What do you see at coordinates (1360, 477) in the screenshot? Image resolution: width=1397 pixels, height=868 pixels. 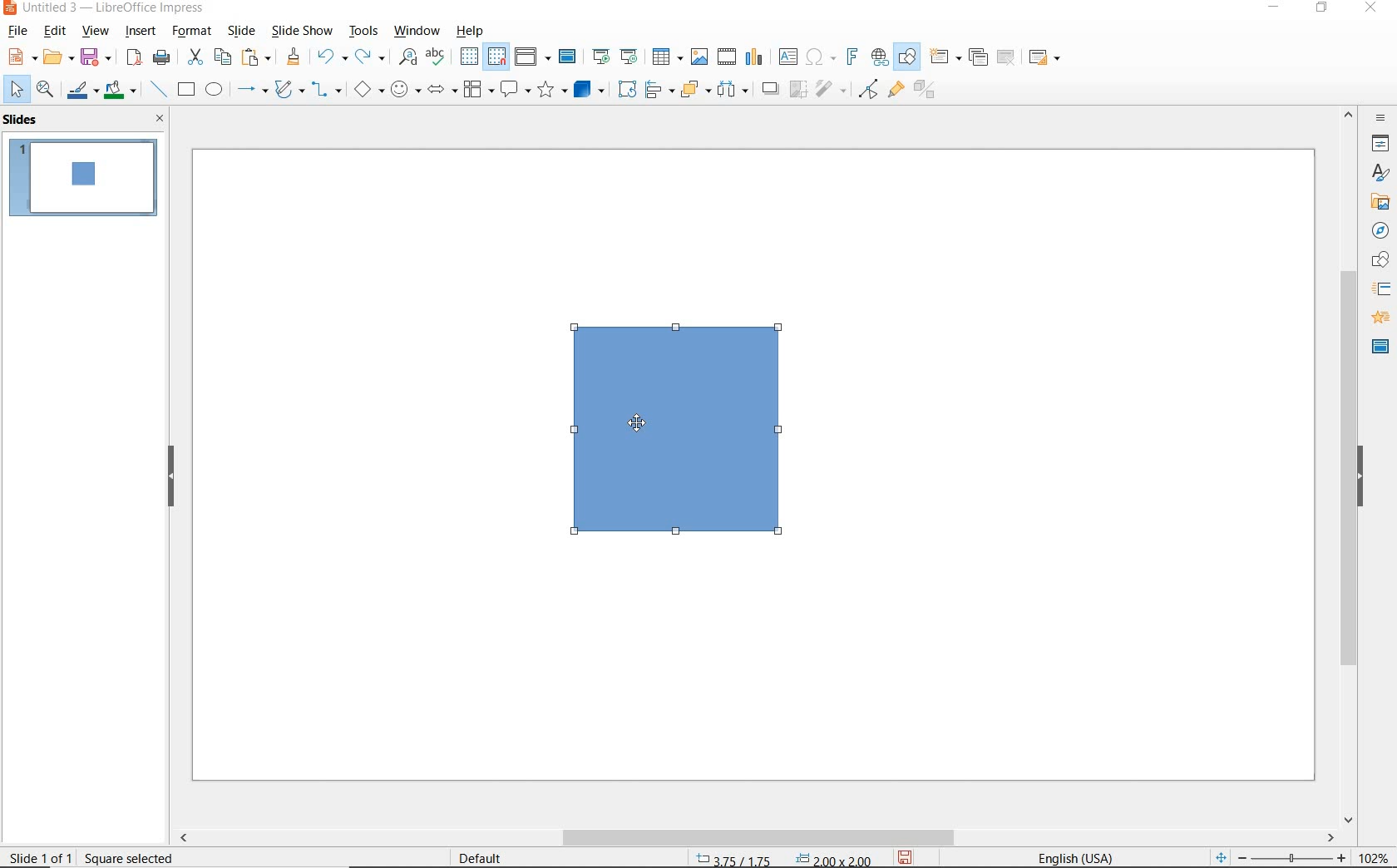 I see `hide` at bounding box center [1360, 477].